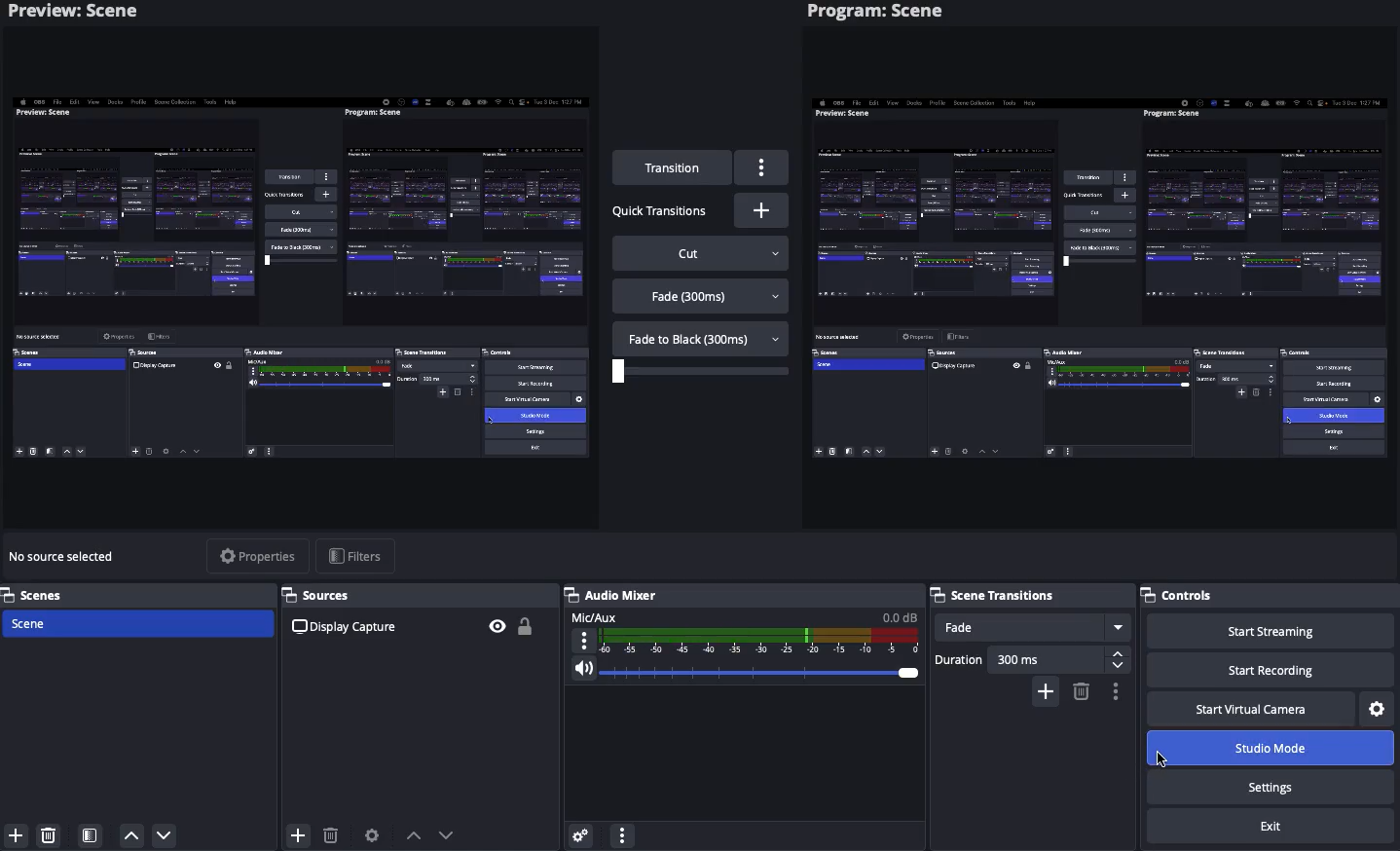 The width and height of the screenshot is (1400, 851). Describe the element at coordinates (1270, 595) in the screenshot. I see `Controls` at that location.